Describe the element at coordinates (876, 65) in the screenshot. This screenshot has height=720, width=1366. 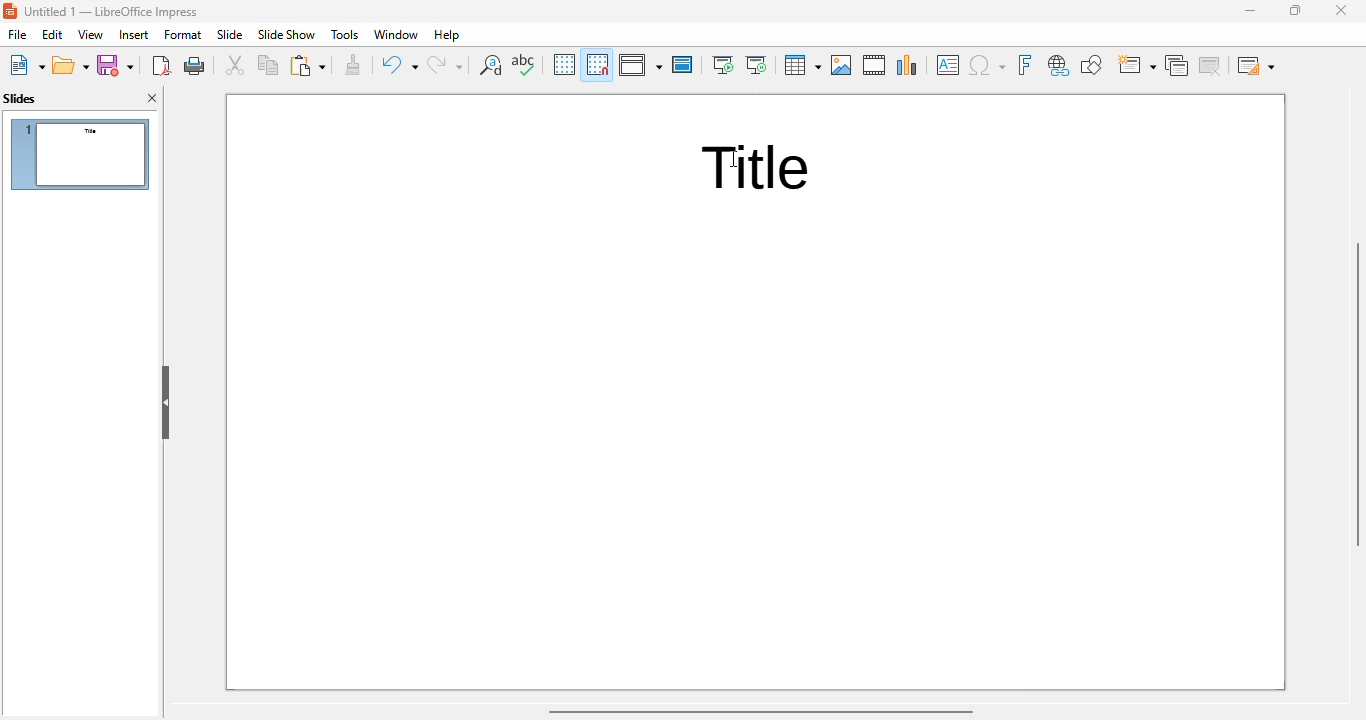
I see `insert audio or video` at that location.